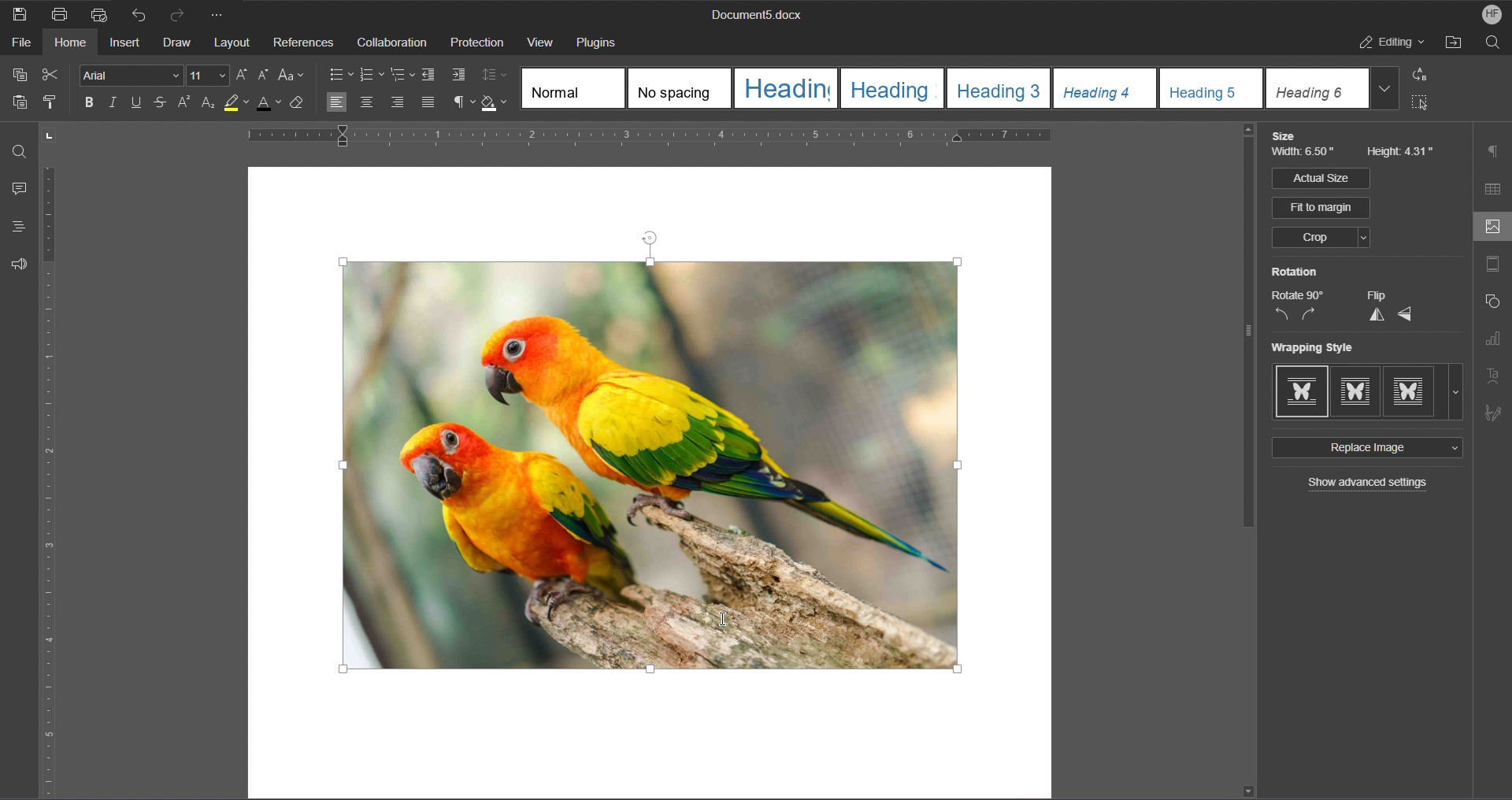 The height and width of the screenshot is (800, 1512). Describe the element at coordinates (1298, 295) in the screenshot. I see `Rotate 90` at that location.